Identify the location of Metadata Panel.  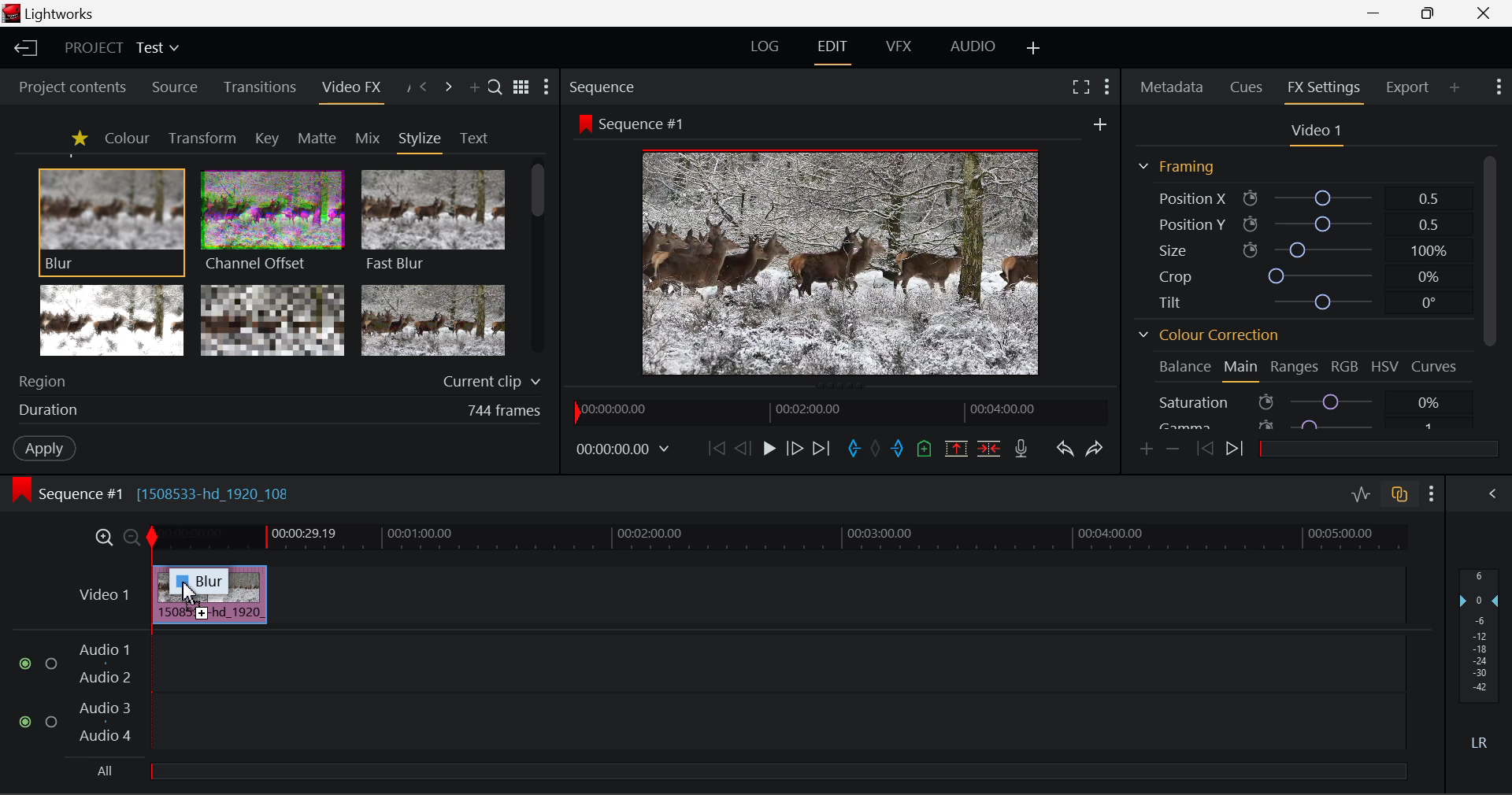
(1170, 88).